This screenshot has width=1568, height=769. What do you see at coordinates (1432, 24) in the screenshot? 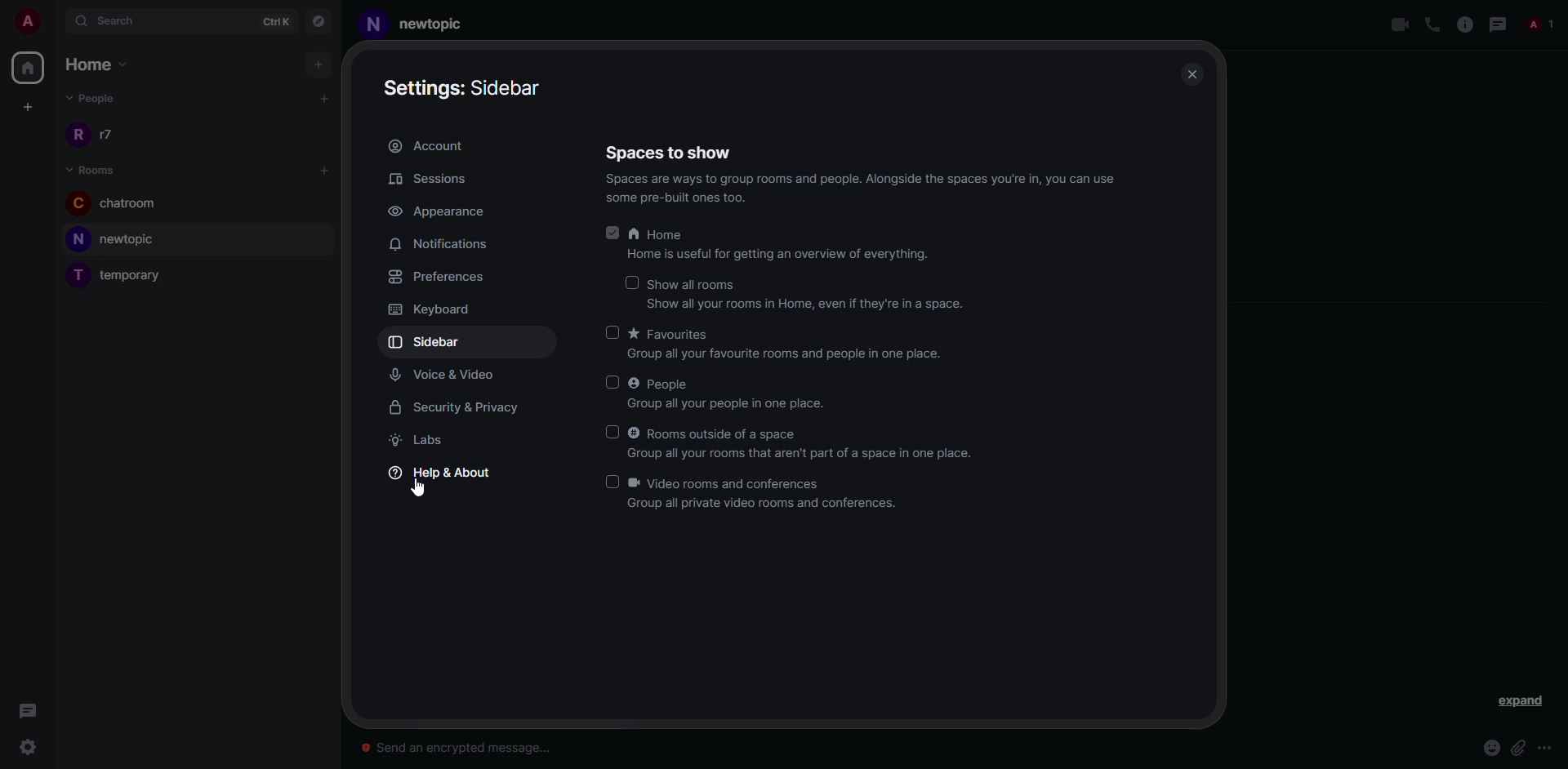
I see `voice call` at bounding box center [1432, 24].